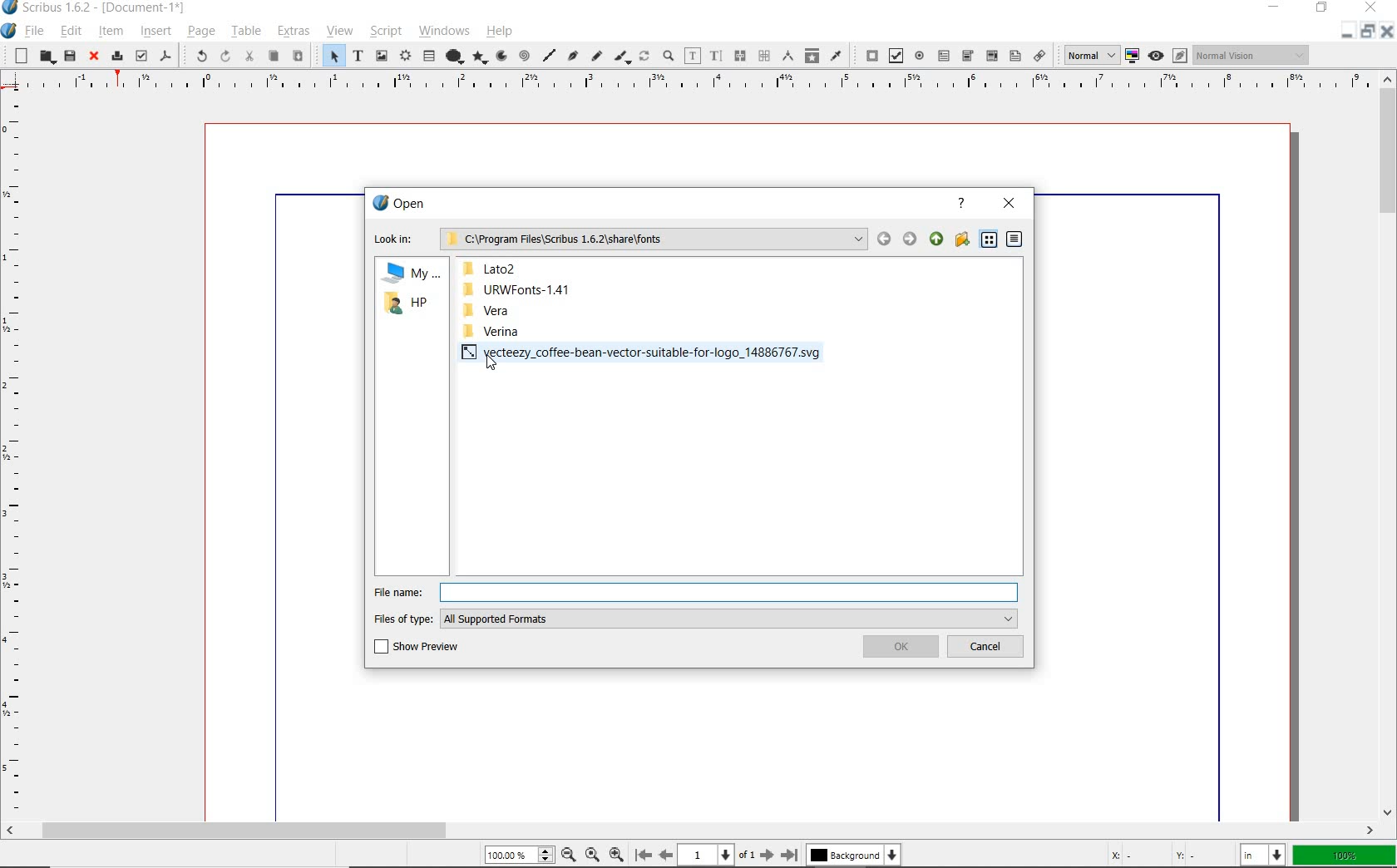 This screenshot has width=1397, height=868. What do you see at coordinates (594, 855) in the screenshot?
I see `Zoom to 100%` at bounding box center [594, 855].